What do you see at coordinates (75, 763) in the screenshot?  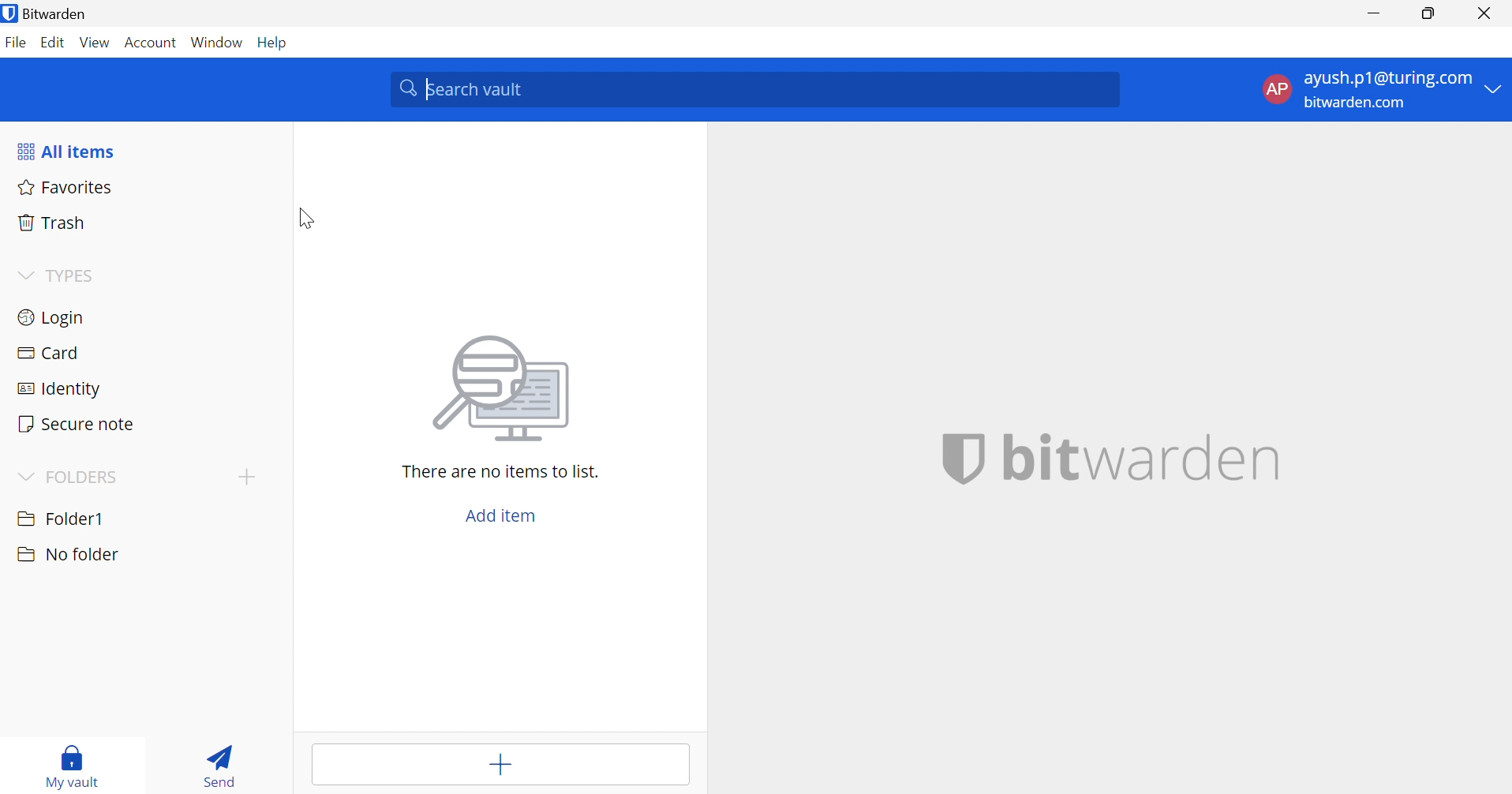 I see `My Vault` at bounding box center [75, 763].